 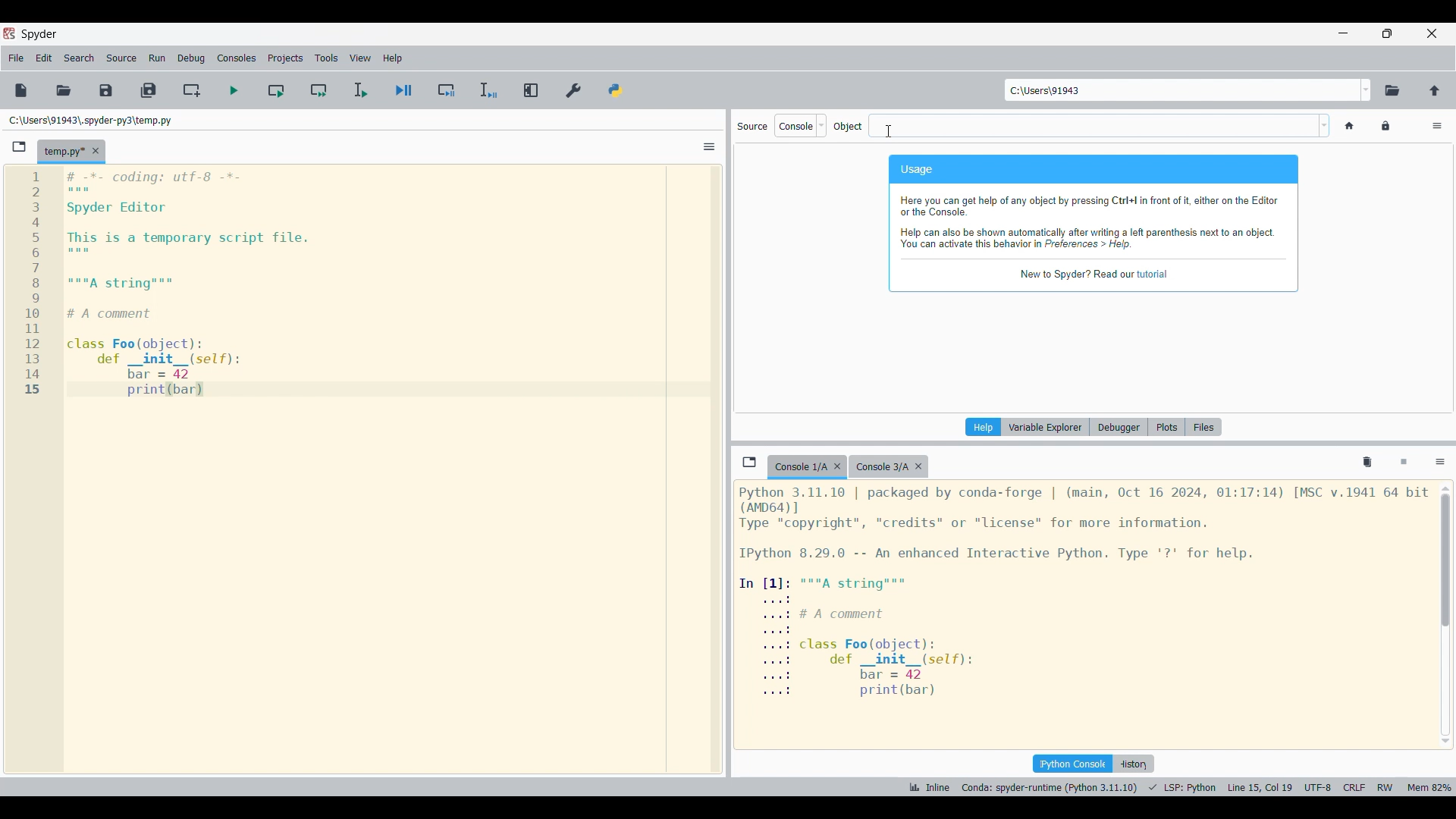 I want to click on Show in smaller tab, so click(x=1387, y=33).